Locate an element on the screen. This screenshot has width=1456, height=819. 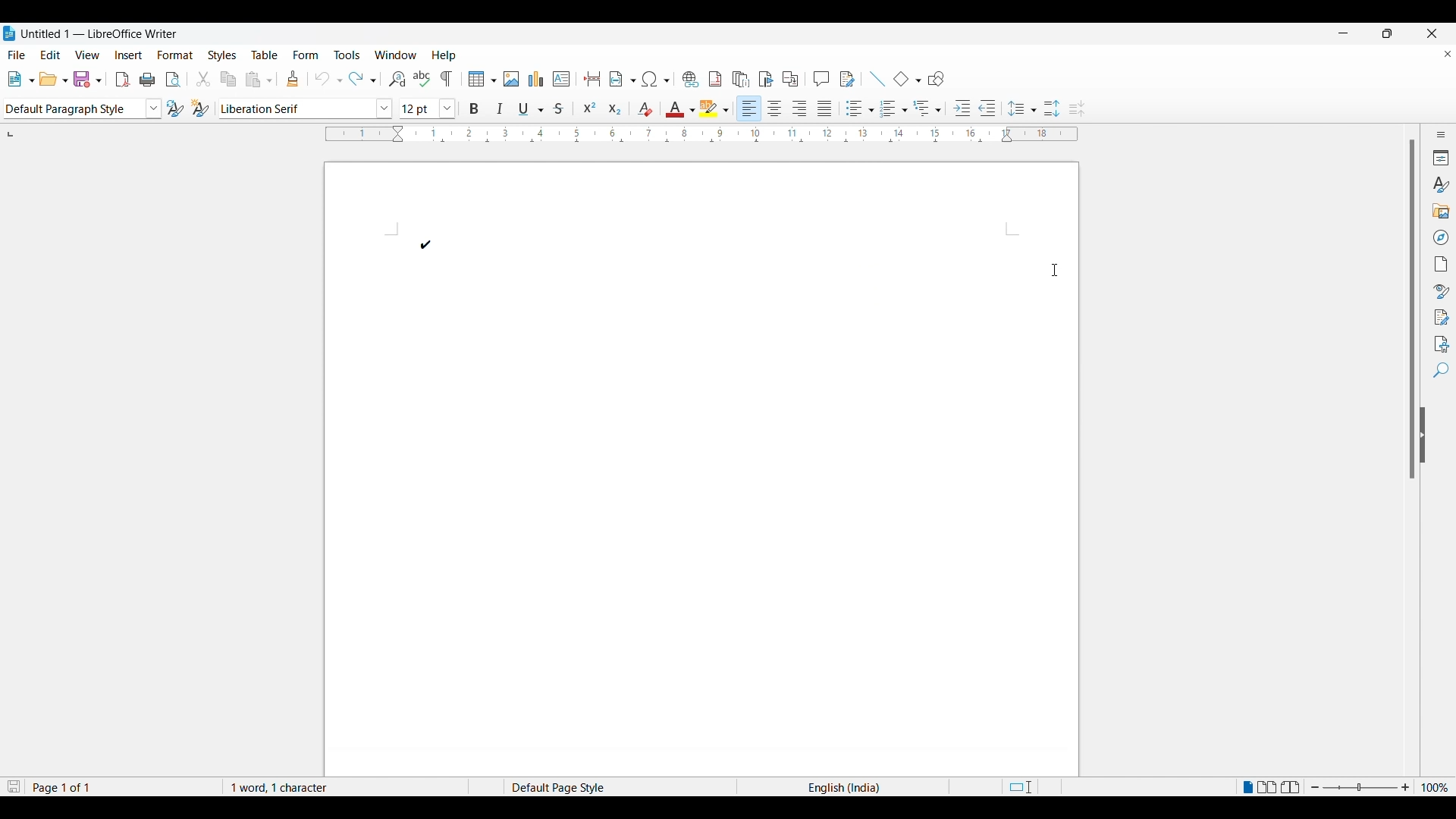
insert text box is located at coordinates (563, 78).